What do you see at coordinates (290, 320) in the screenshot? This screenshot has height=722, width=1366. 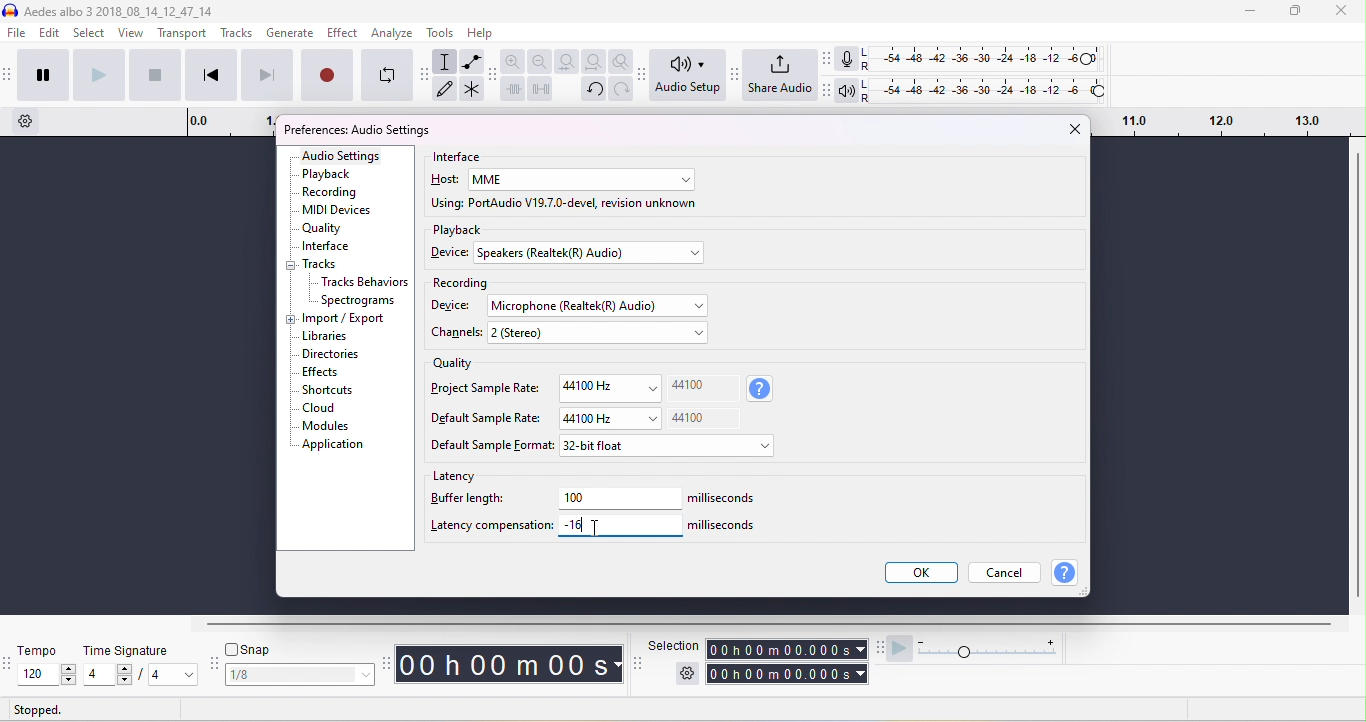 I see `expand` at bounding box center [290, 320].